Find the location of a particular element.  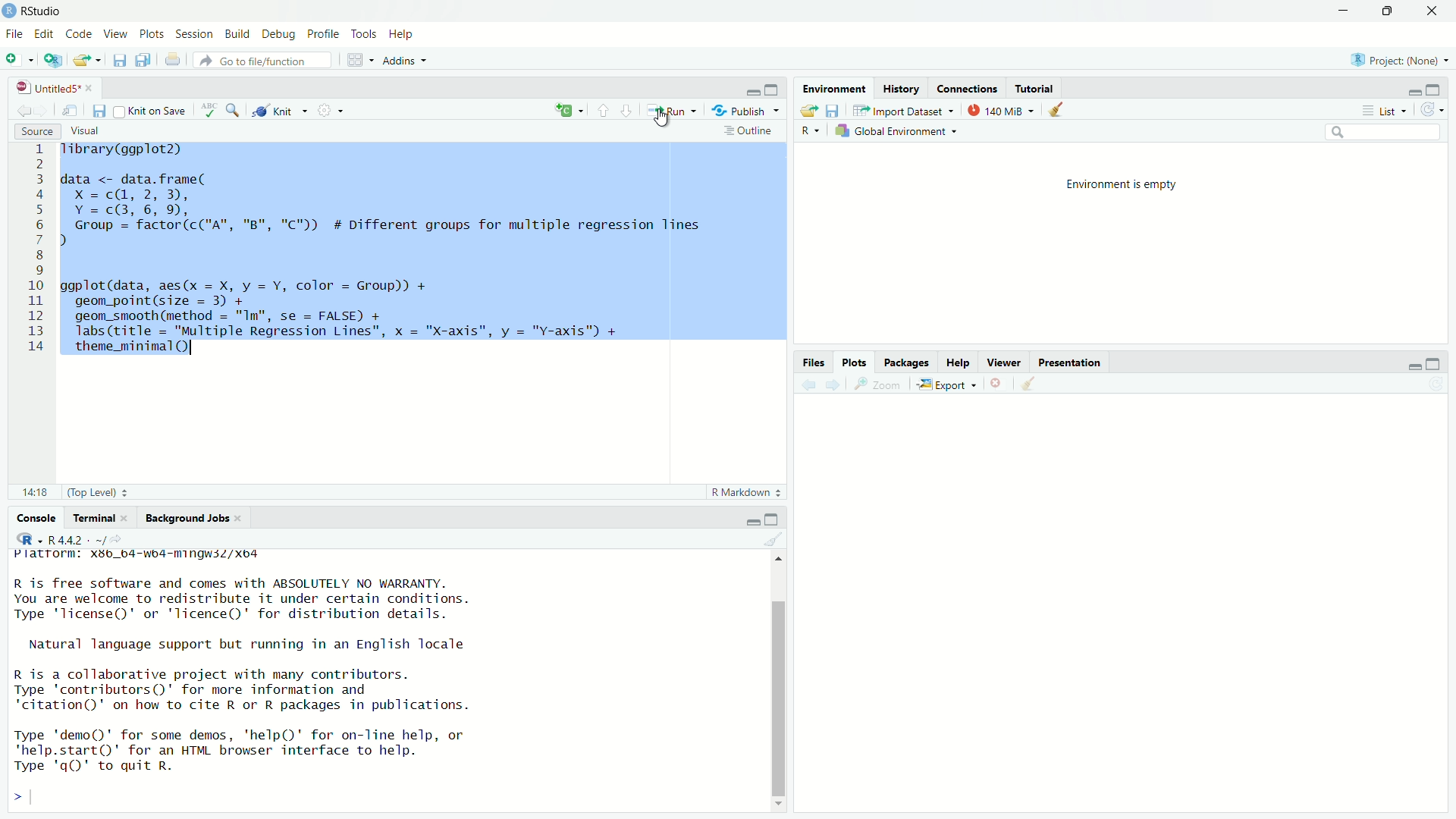

View is located at coordinates (115, 35).